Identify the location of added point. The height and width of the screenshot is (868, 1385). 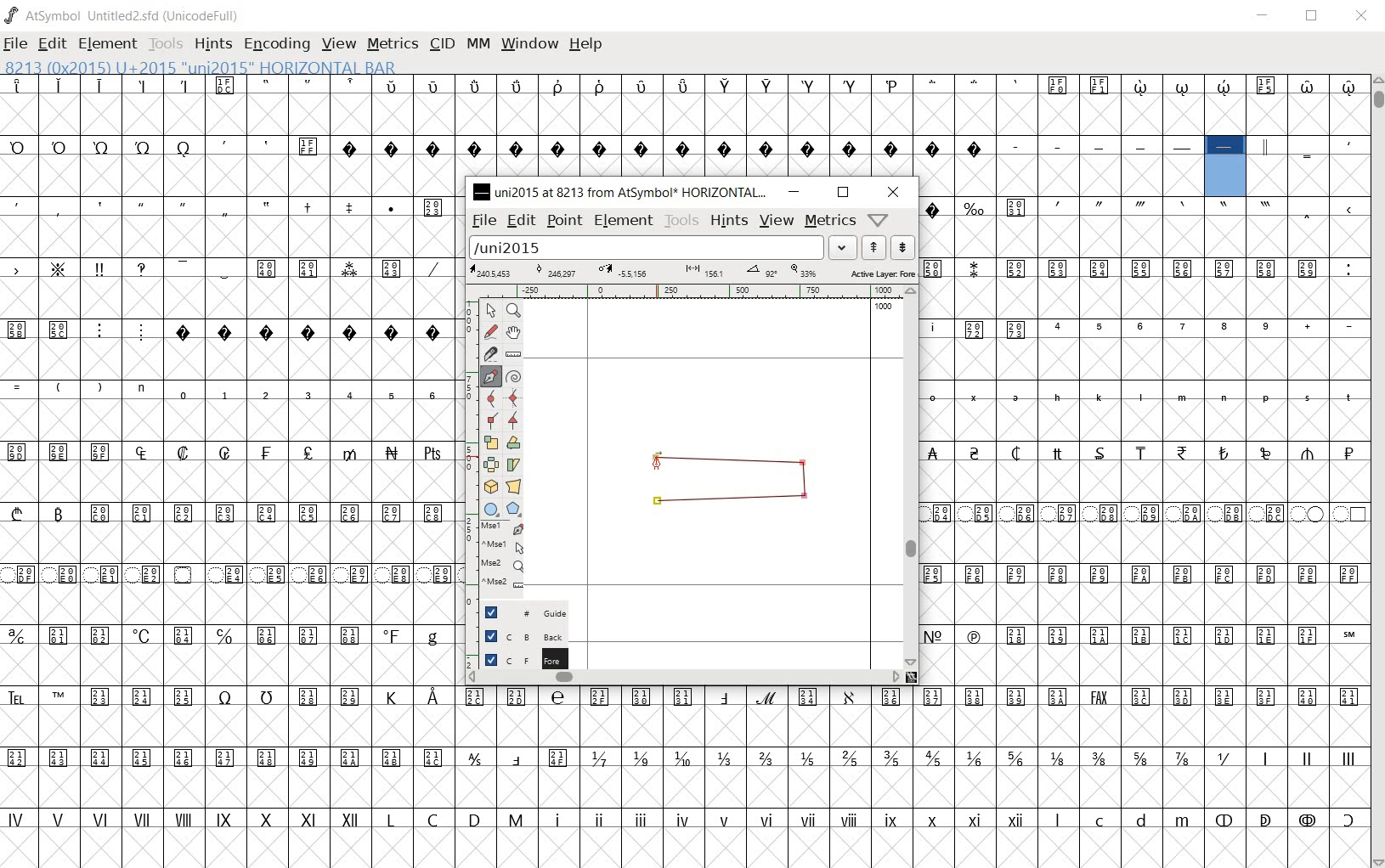
(657, 501).